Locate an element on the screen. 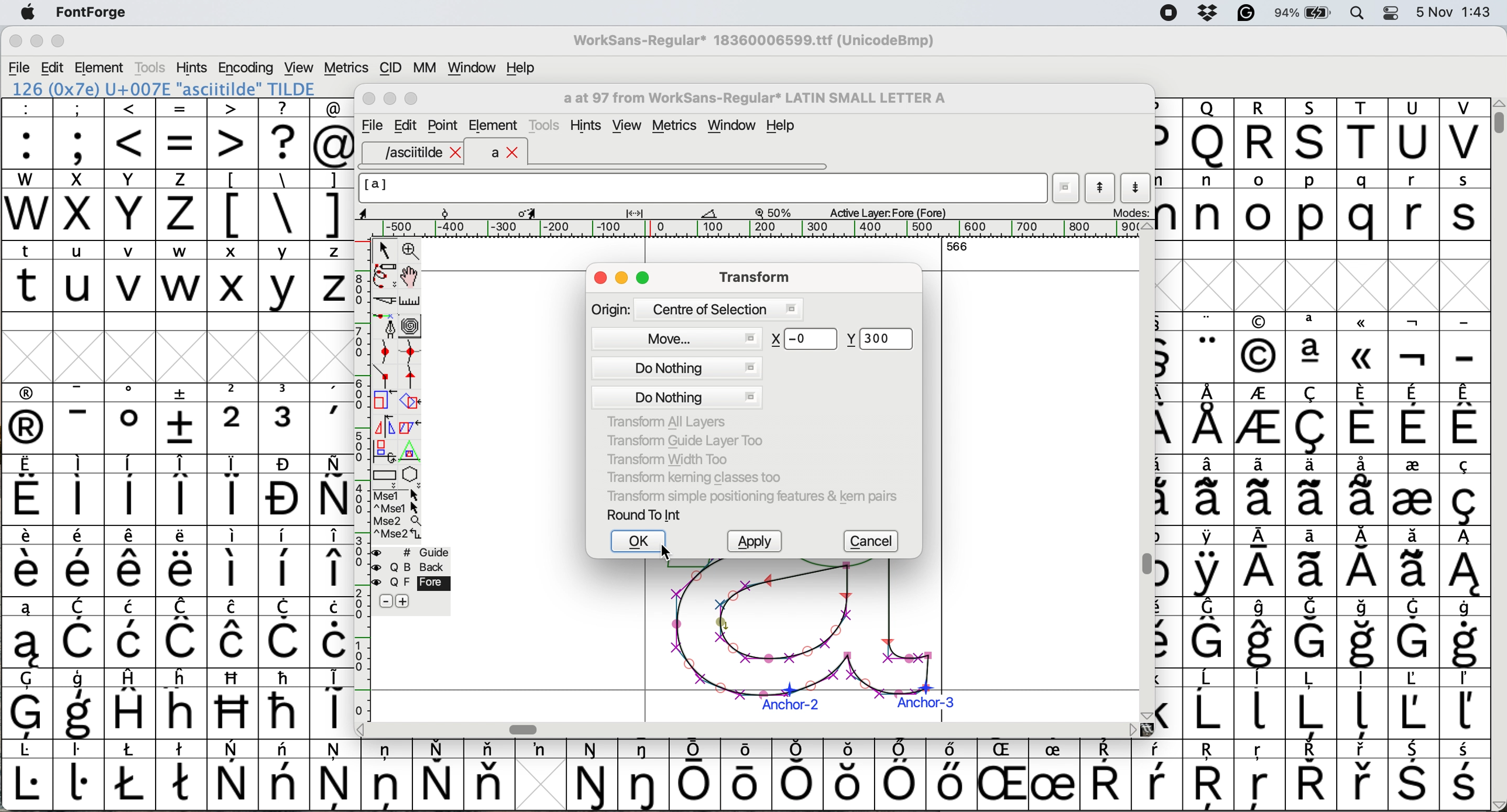  symbol is located at coordinates (1412, 489).